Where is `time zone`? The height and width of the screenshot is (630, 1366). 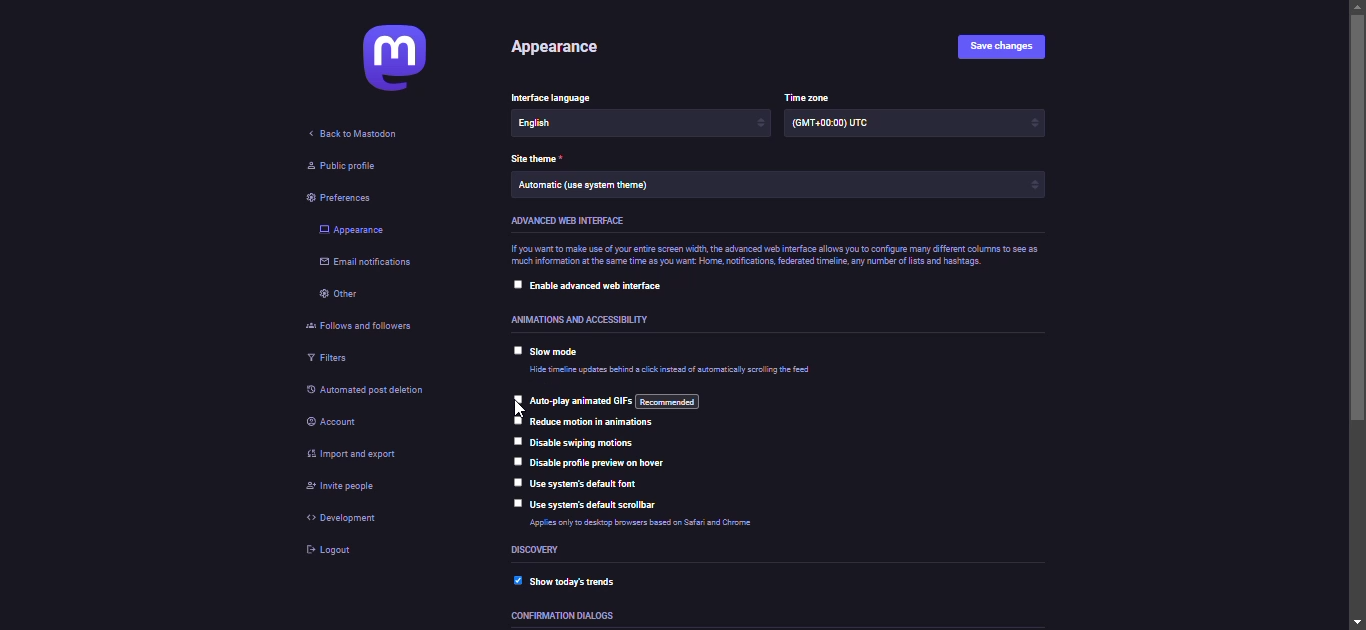
time zone is located at coordinates (808, 97).